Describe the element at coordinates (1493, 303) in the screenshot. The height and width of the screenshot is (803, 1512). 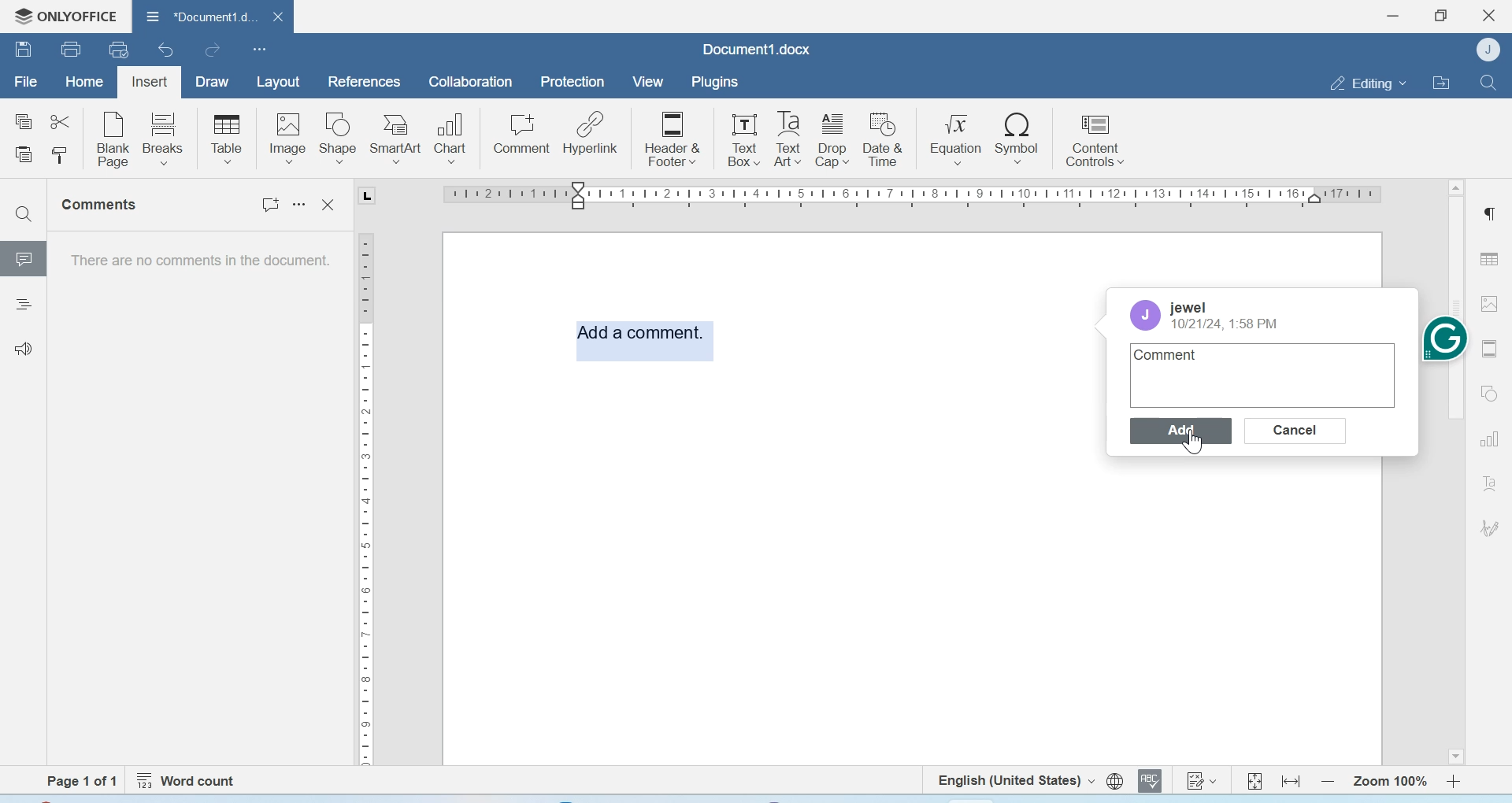
I see `Image` at that location.